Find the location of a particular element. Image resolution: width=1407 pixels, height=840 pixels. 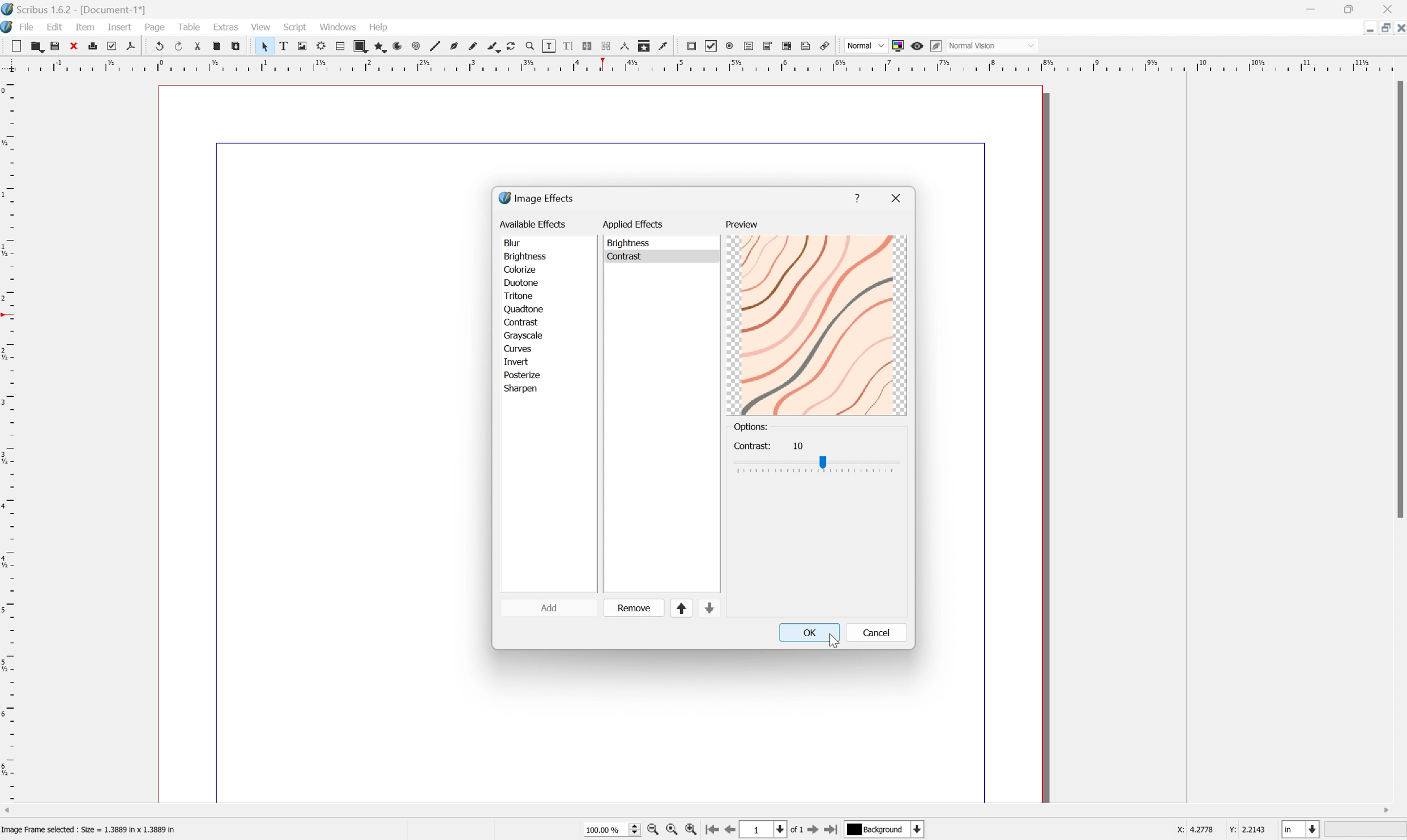

options: is located at coordinates (752, 427).